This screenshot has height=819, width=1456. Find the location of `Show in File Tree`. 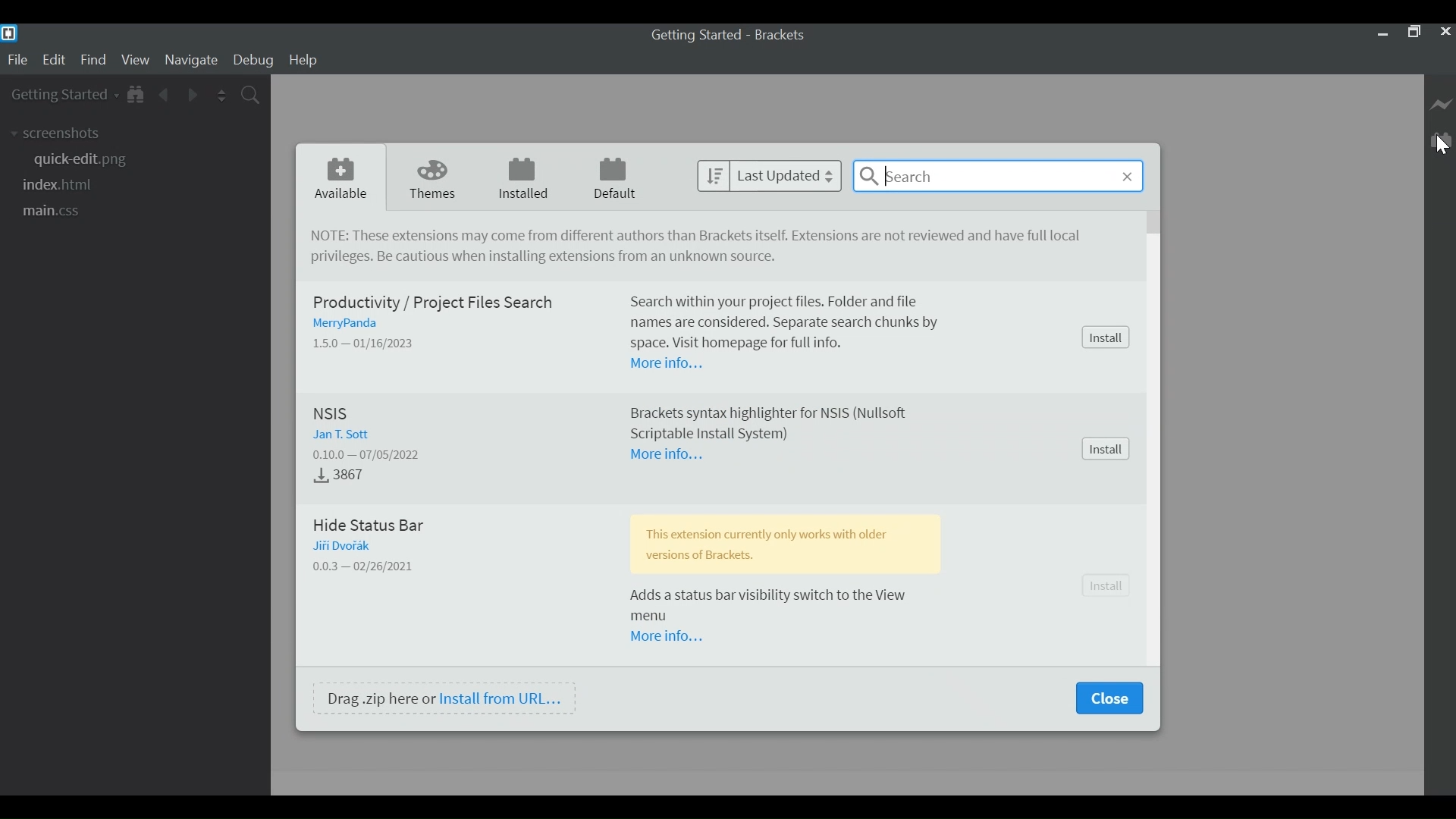

Show in File Tree is located at coordinates (136, 93).